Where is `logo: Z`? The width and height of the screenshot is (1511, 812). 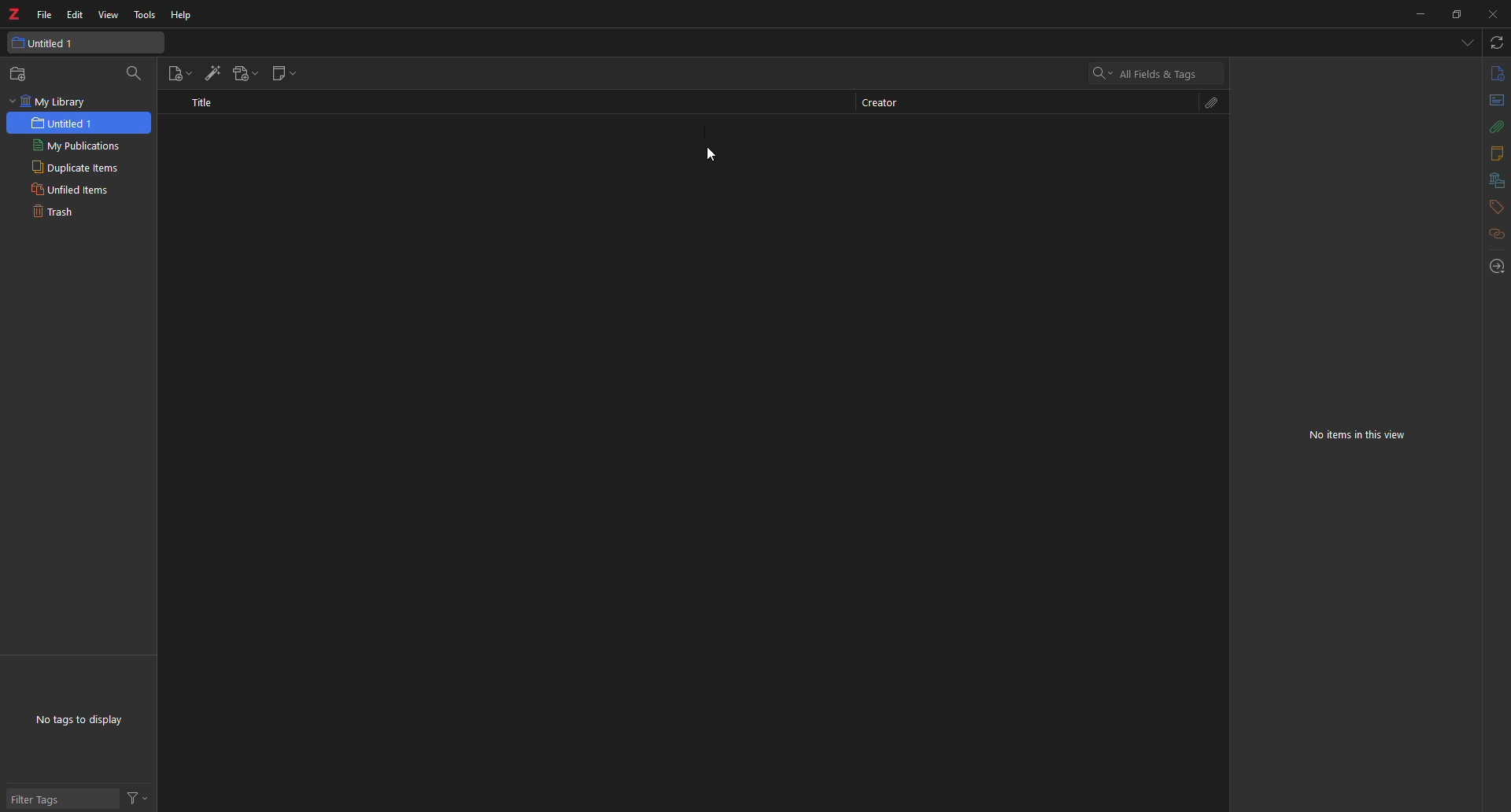 logo: Z is located at coordinates (17, 13).